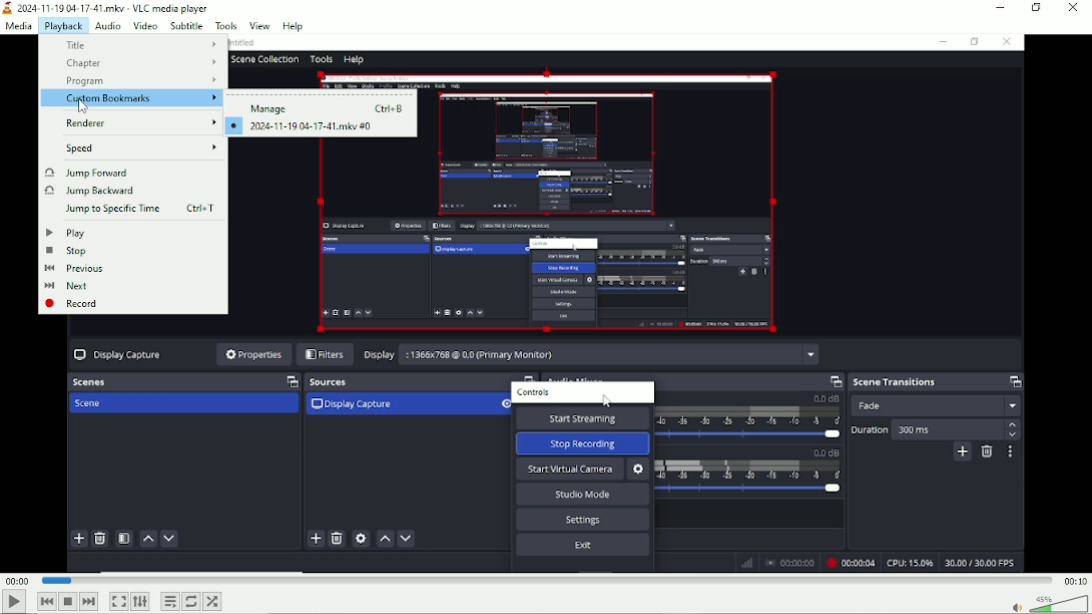  Describe the element at coordinates (67, 601) in the screenshot. I see `Stop playlist` at that location.